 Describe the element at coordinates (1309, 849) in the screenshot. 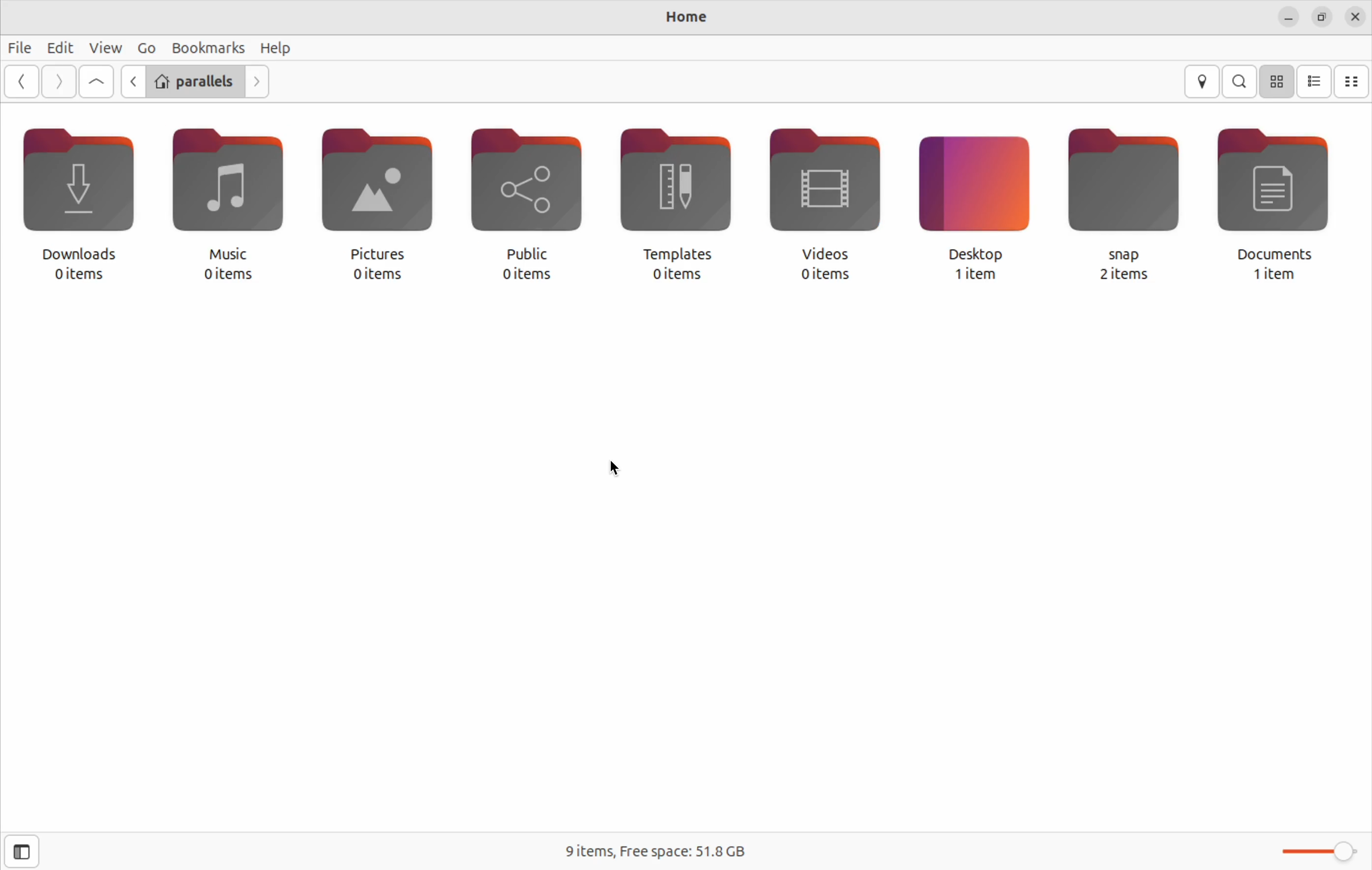

I see `Toggle zoom` at that location.